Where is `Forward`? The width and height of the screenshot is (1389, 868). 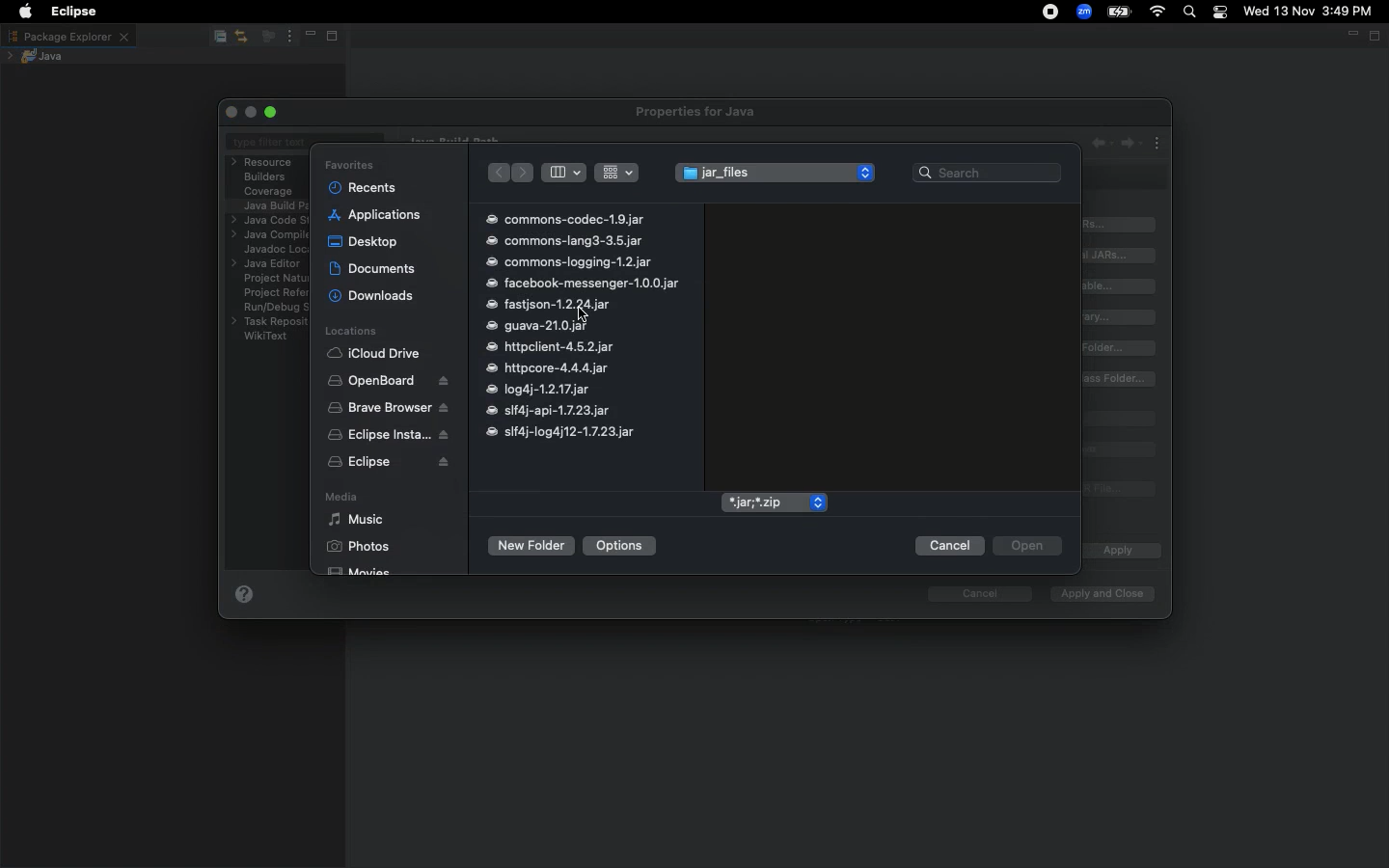
Forward is located at coordinates (525, 173).